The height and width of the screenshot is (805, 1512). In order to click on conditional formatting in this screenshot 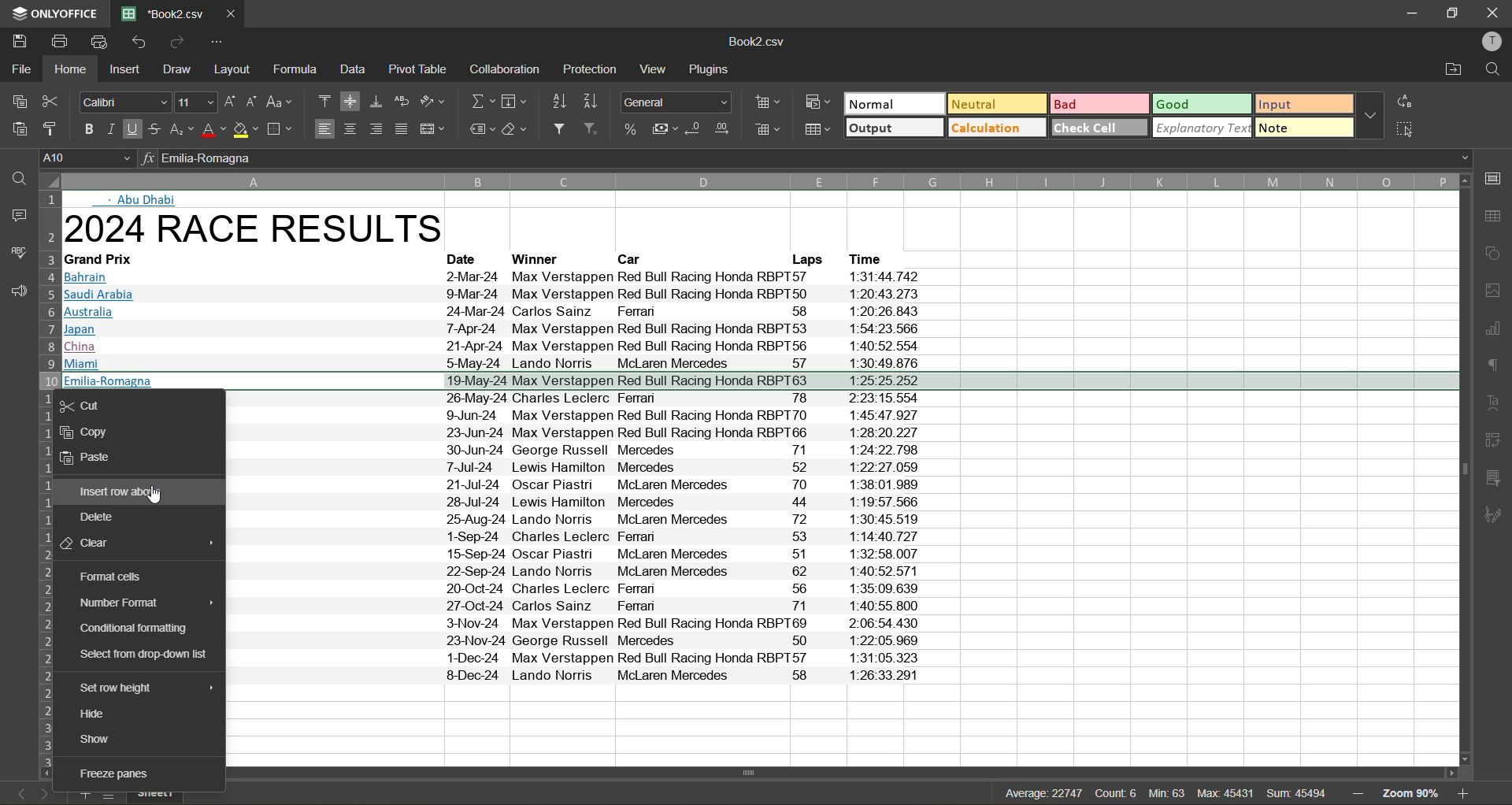, I will do `click(133, 627)`.